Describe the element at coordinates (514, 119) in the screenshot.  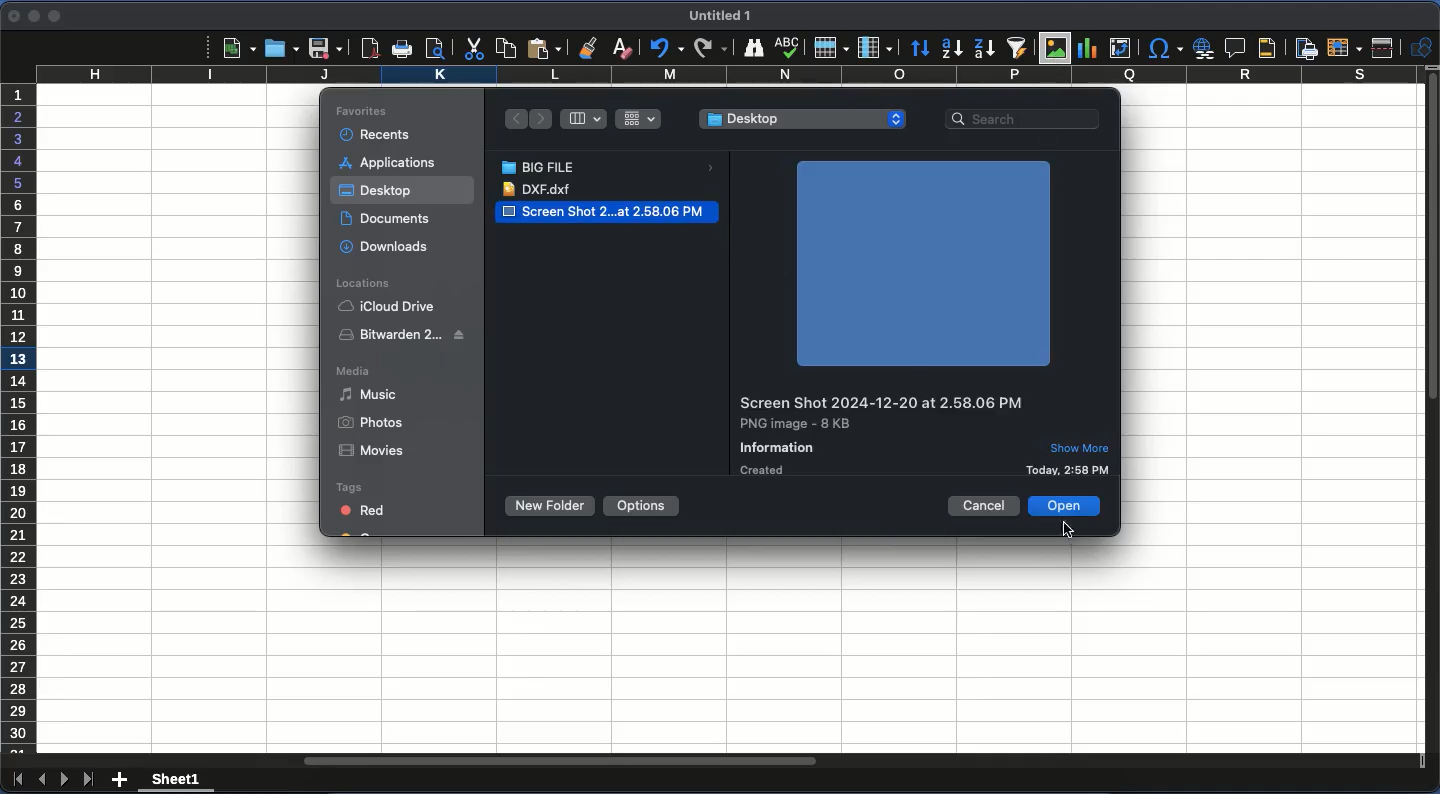
I see `back` at that location.